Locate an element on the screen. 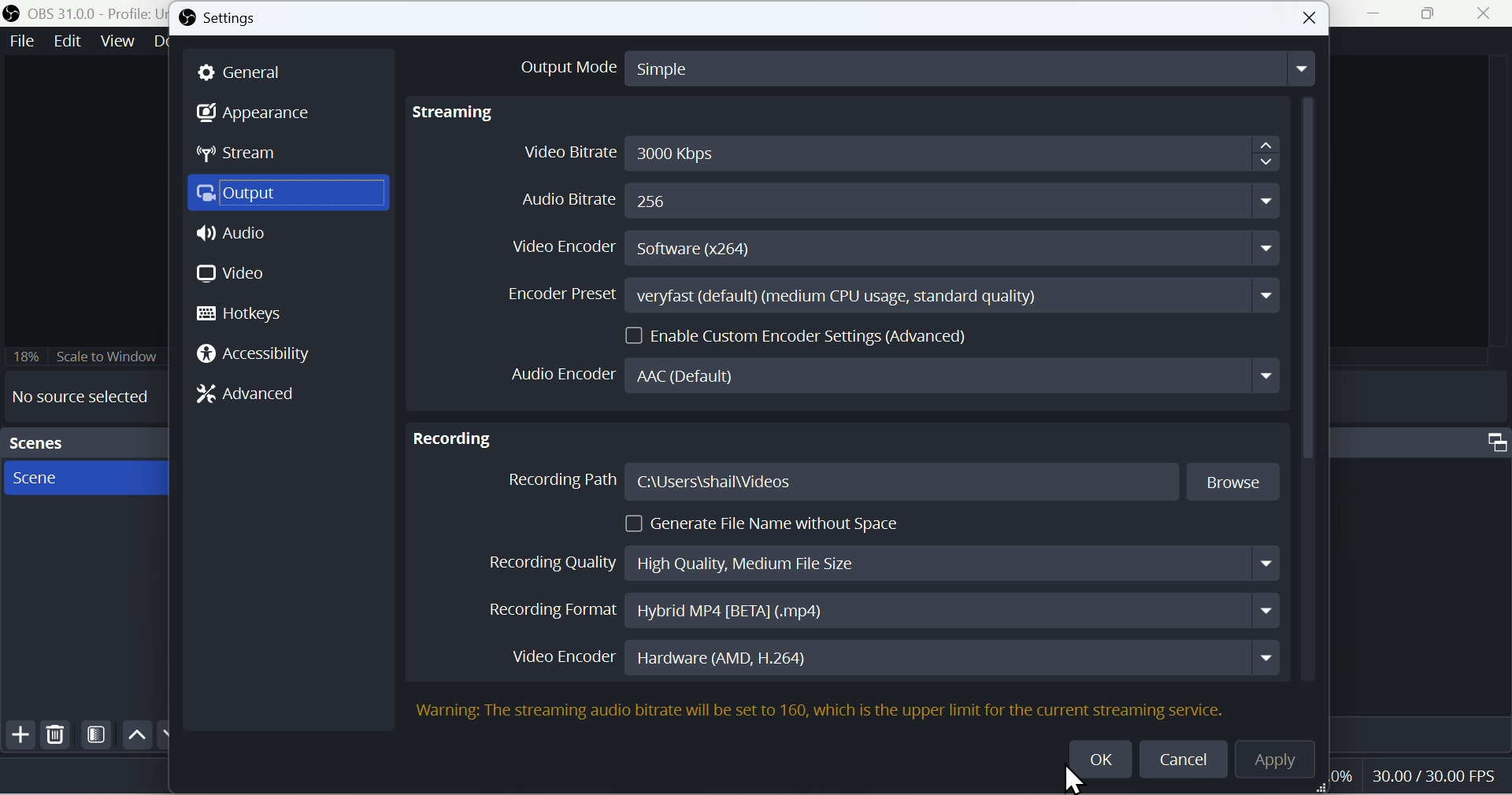  Audio Bitrate is located at coordinates (884, 199).